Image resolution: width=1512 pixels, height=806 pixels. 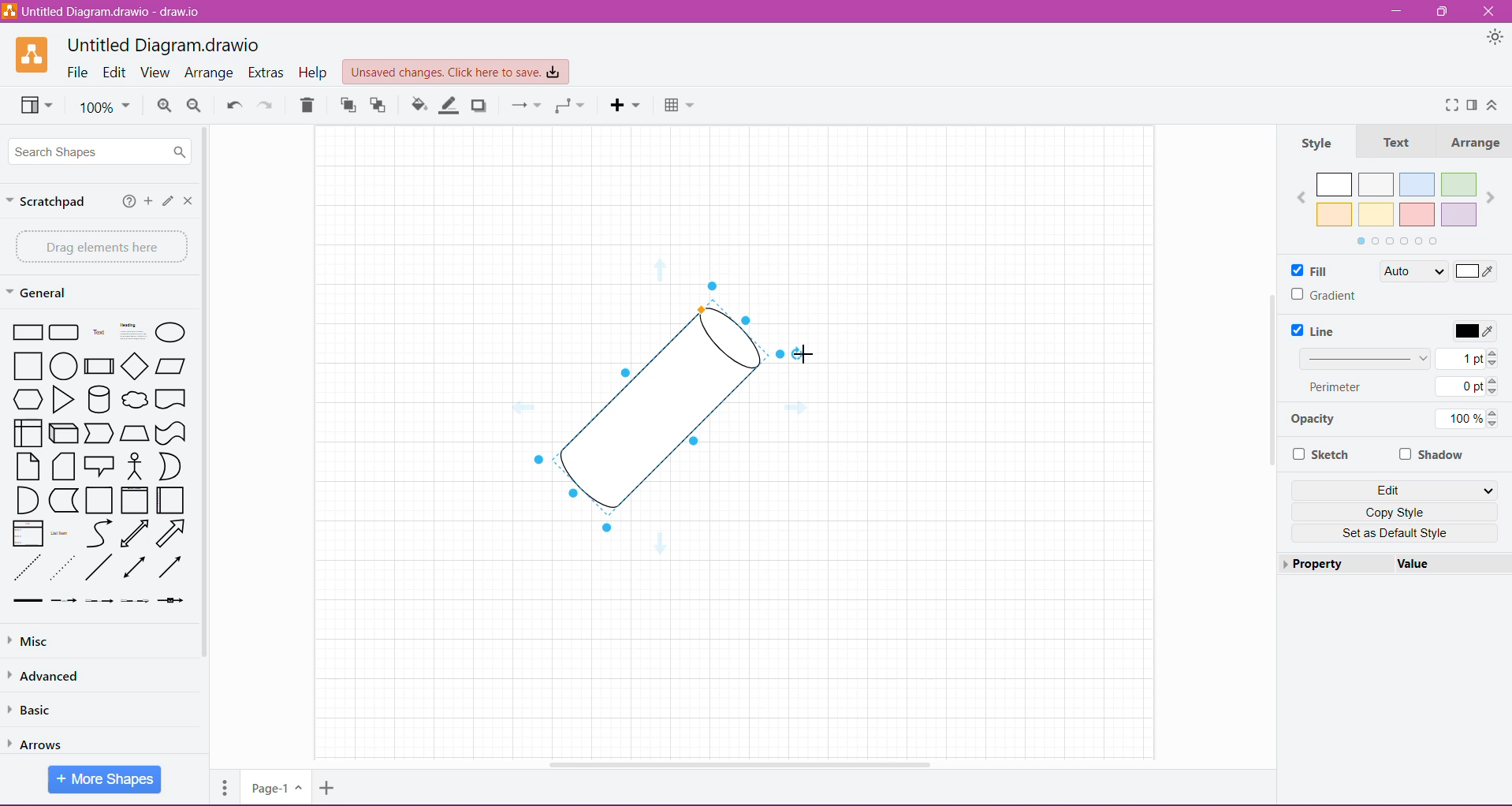 What do you see at coordinates (125, 203) in the screenshot?
I see `Help` at bounding box center [125, 203].